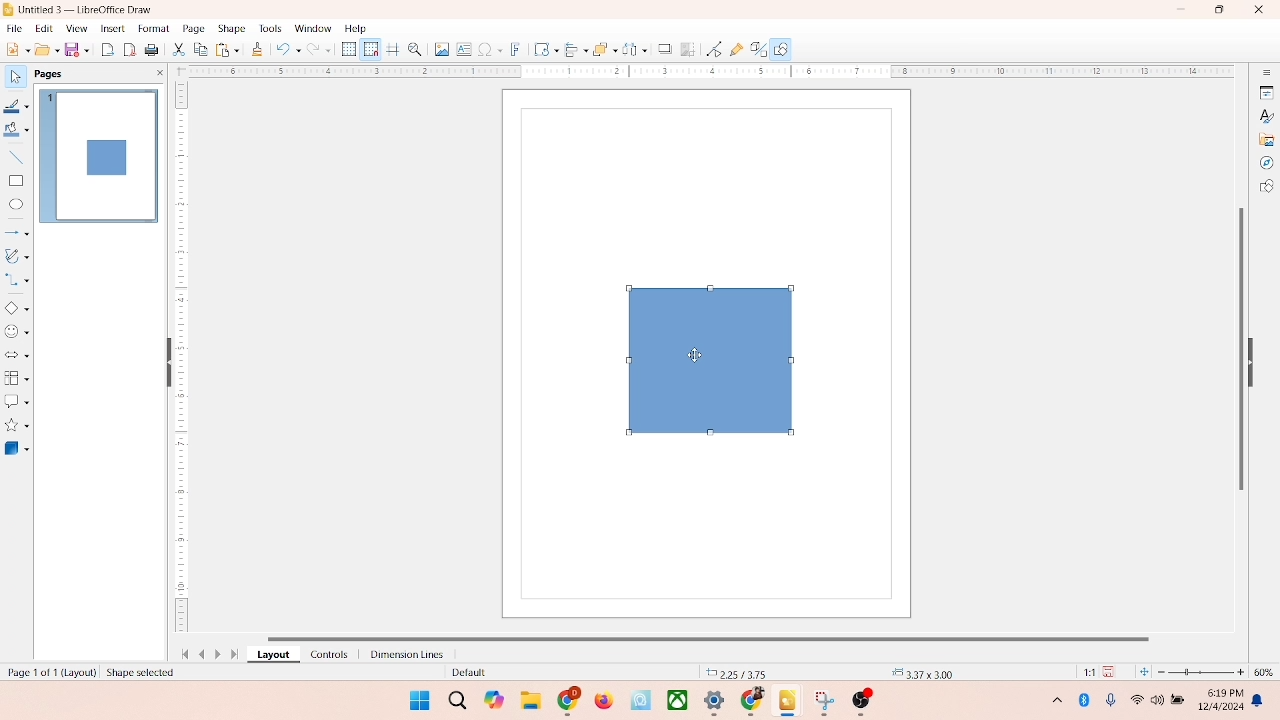 The image size is (1280, 720). Describe the element at coordinates (753, 50) in the screenshot. I see `toggle extrusion` at that location.